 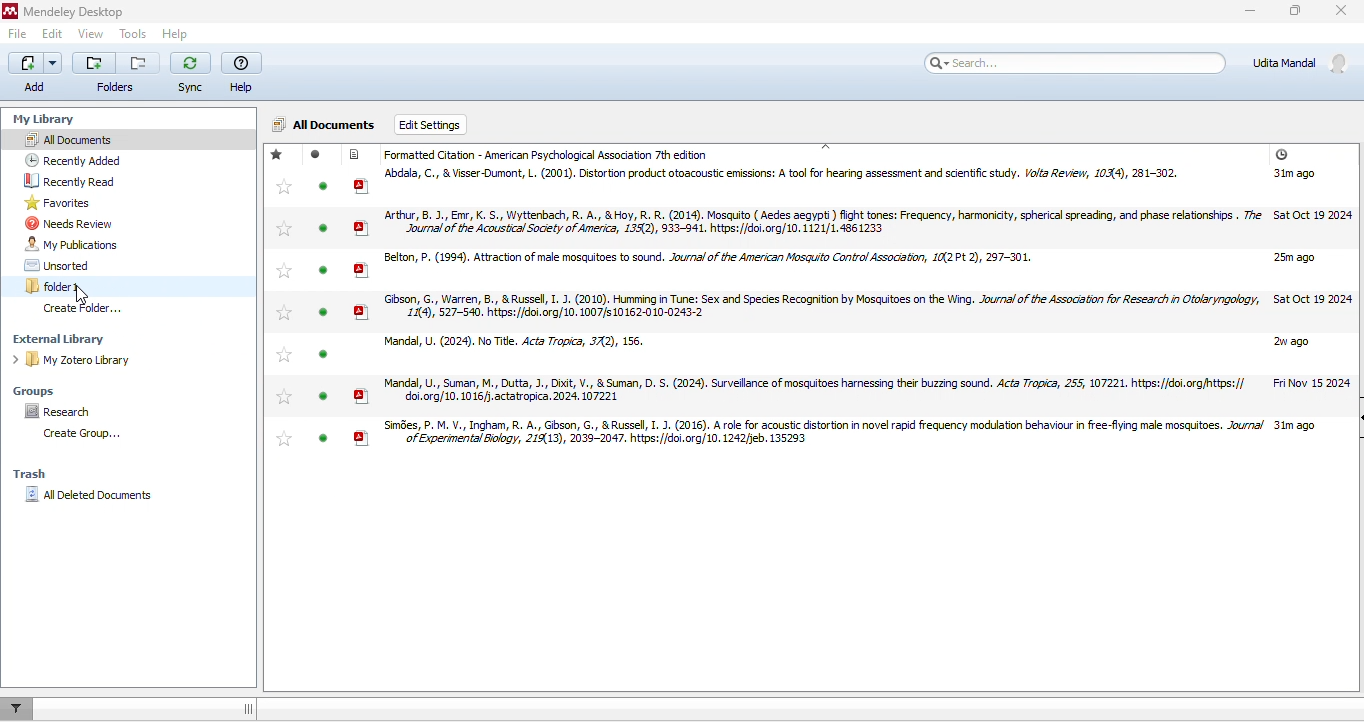 I want to click on unsorted, so click(x=78, y=264).